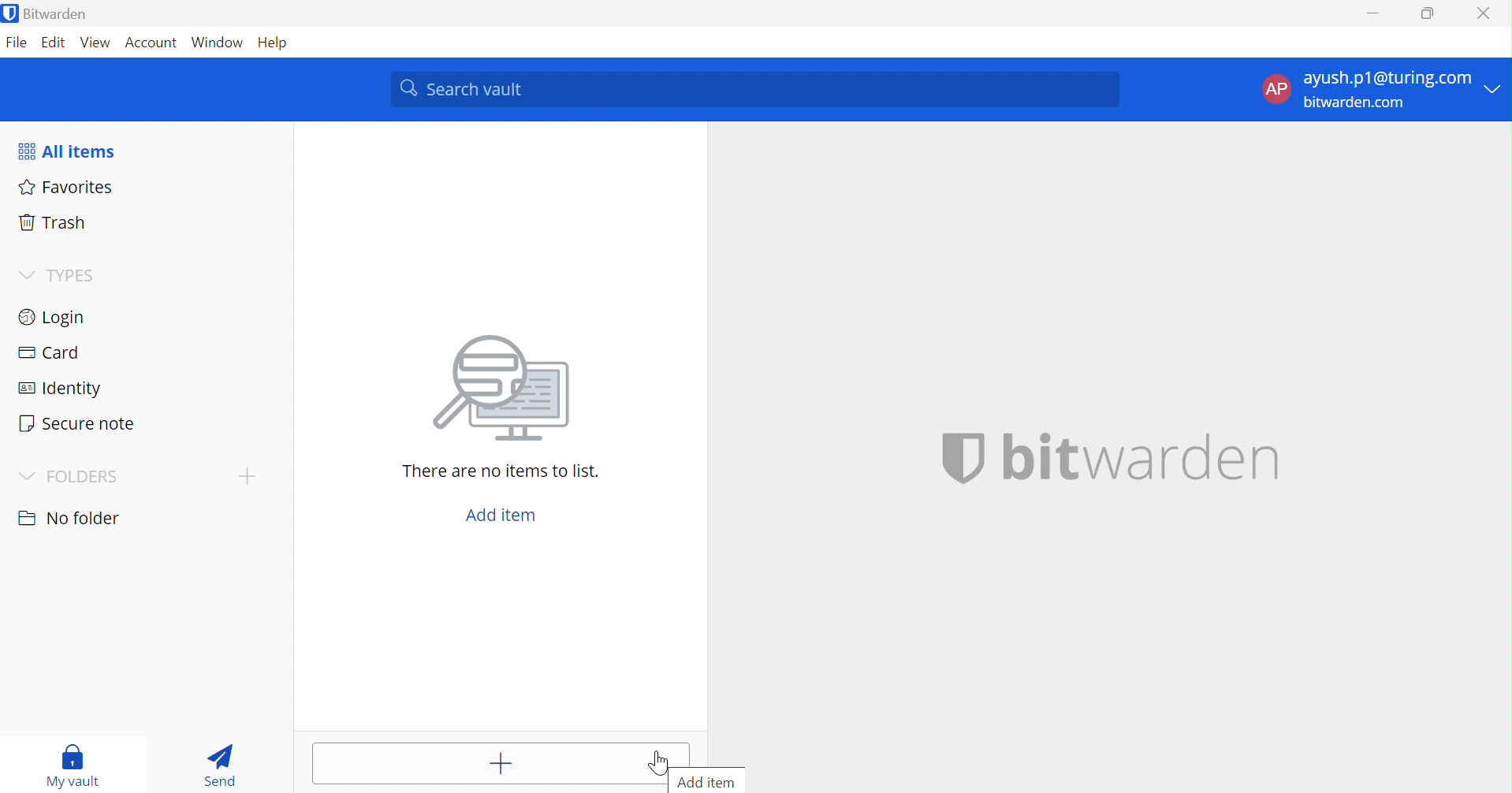 This screenshot has height=793, width=1512. I want to click on Cursor, so click(659, 759).